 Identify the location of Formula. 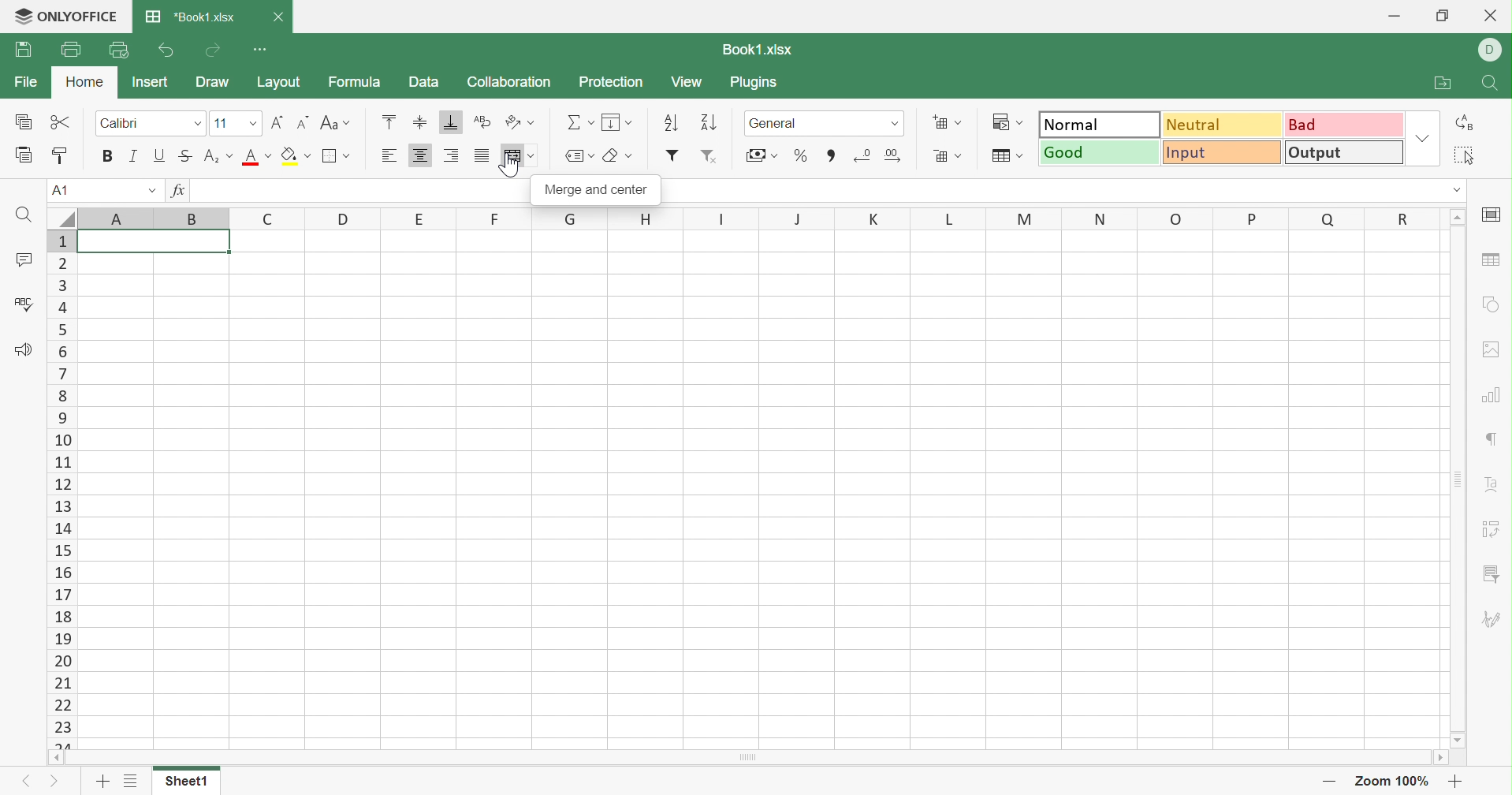
(359, 84).